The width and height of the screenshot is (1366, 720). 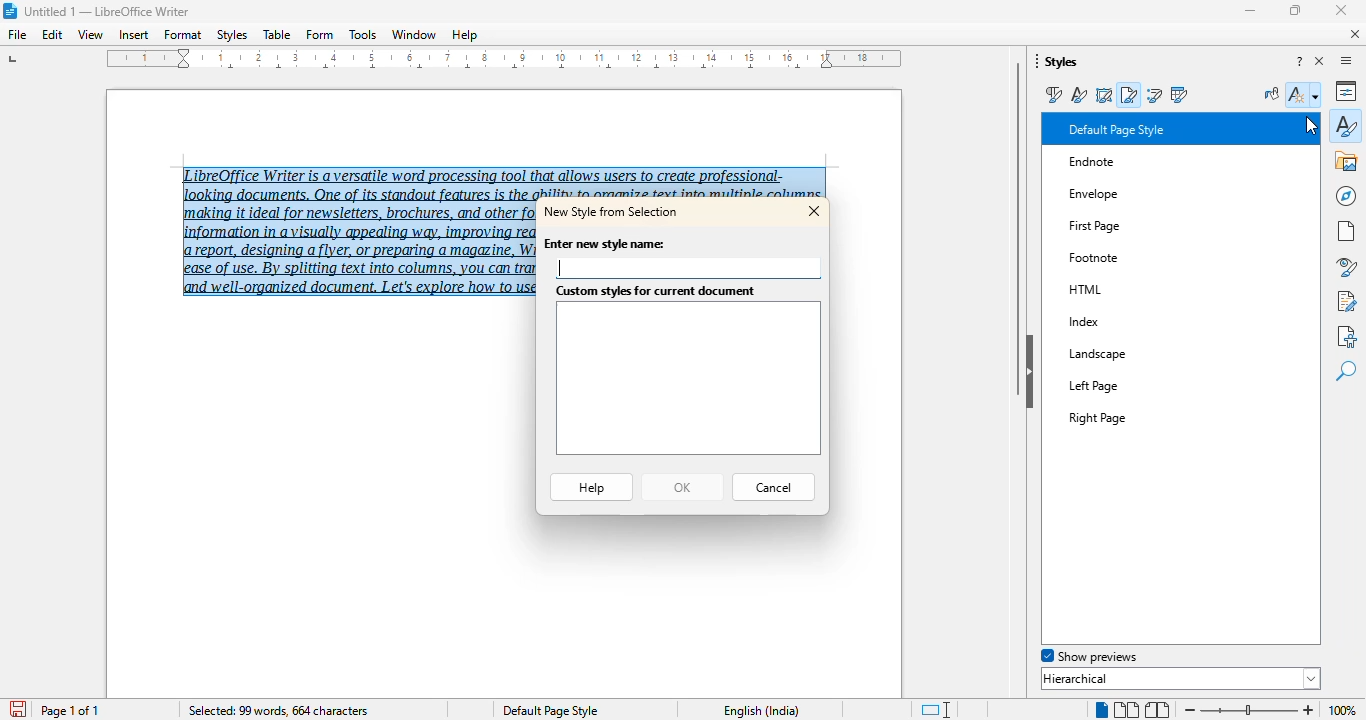 I want to click on styles, so click(x=1346, y=125).